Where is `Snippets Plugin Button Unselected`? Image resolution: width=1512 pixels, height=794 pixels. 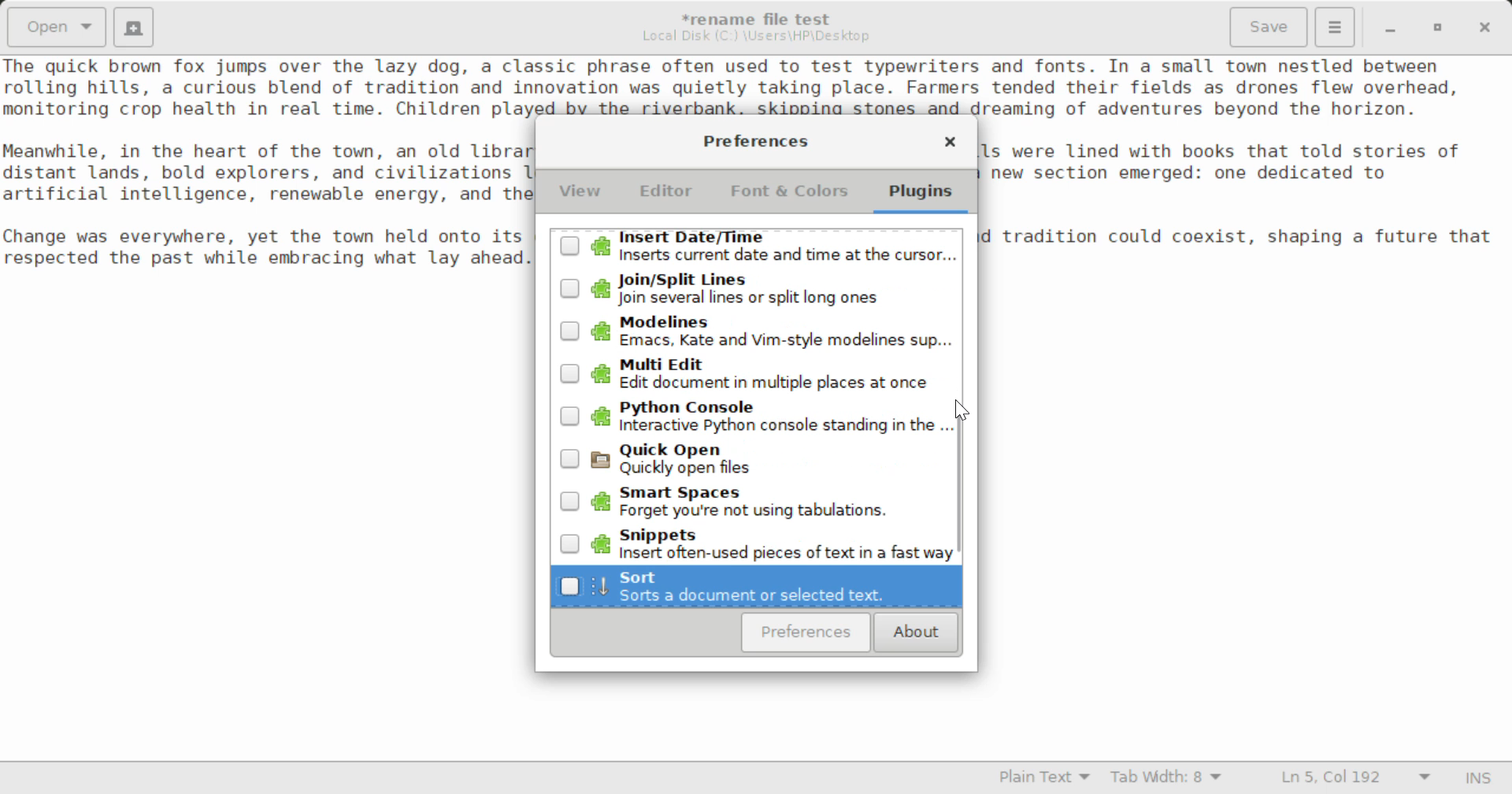 Snippets Plugin Button Unselected is located at coordinates (753, 543).